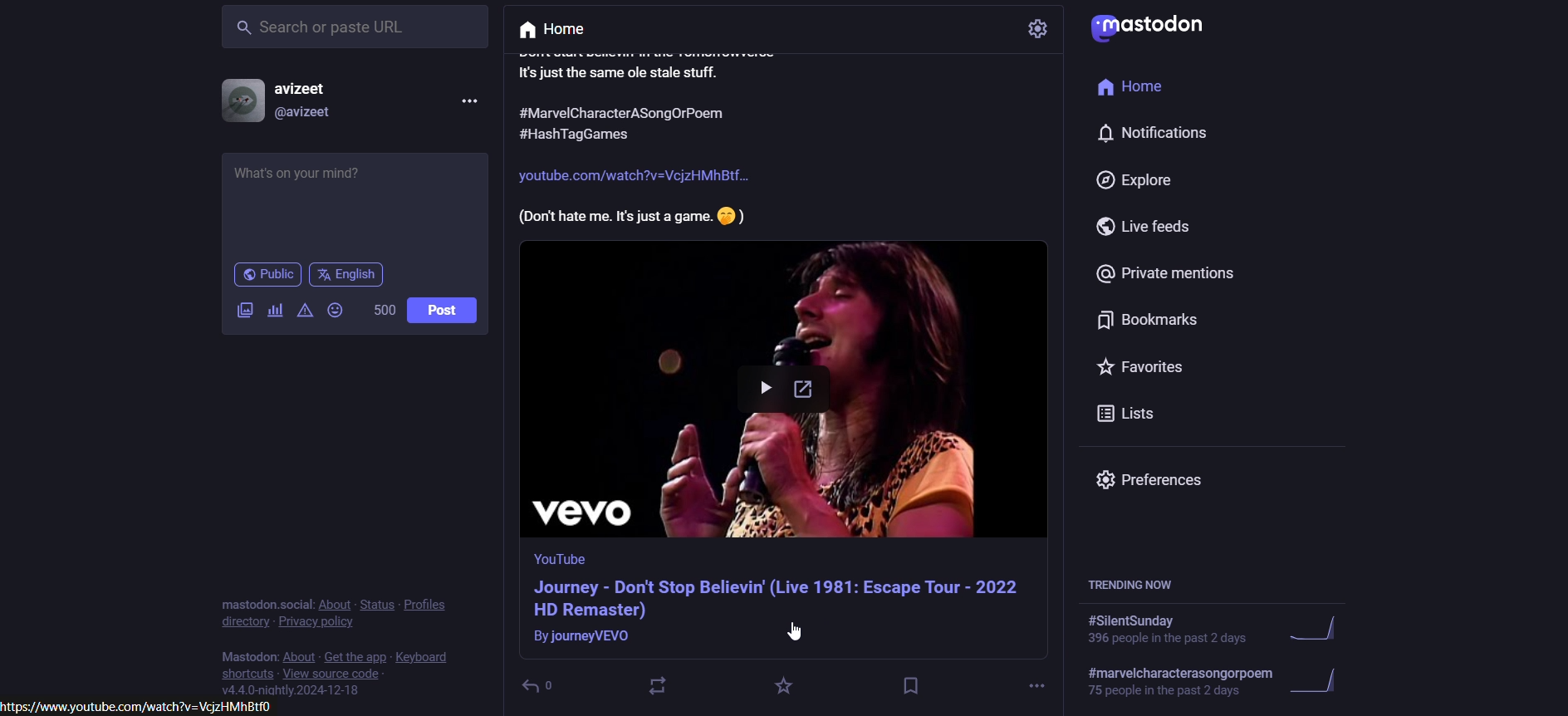 This screenshot has width=1568, height=716. I want to click on post thumbnail, so click(786, 393).